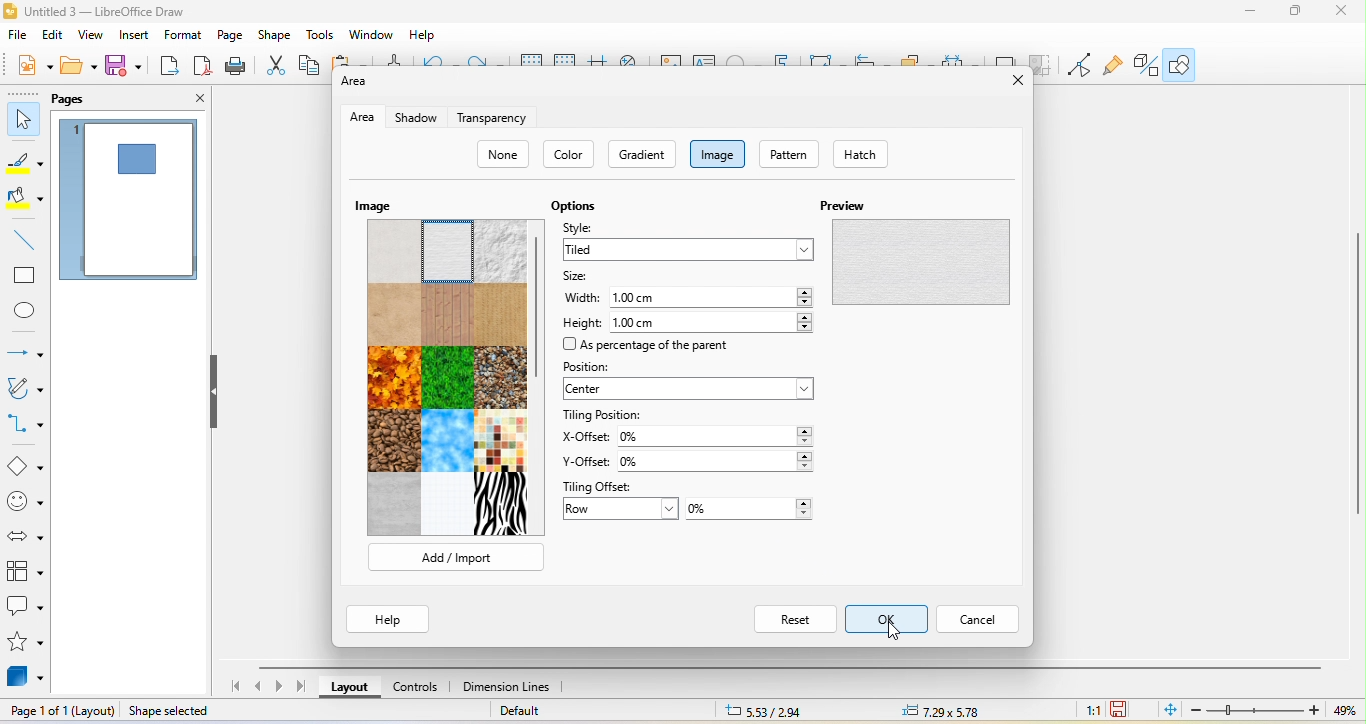  Describe the element at coordinates (122, 11) in the screenshot. I see `title` at that location.